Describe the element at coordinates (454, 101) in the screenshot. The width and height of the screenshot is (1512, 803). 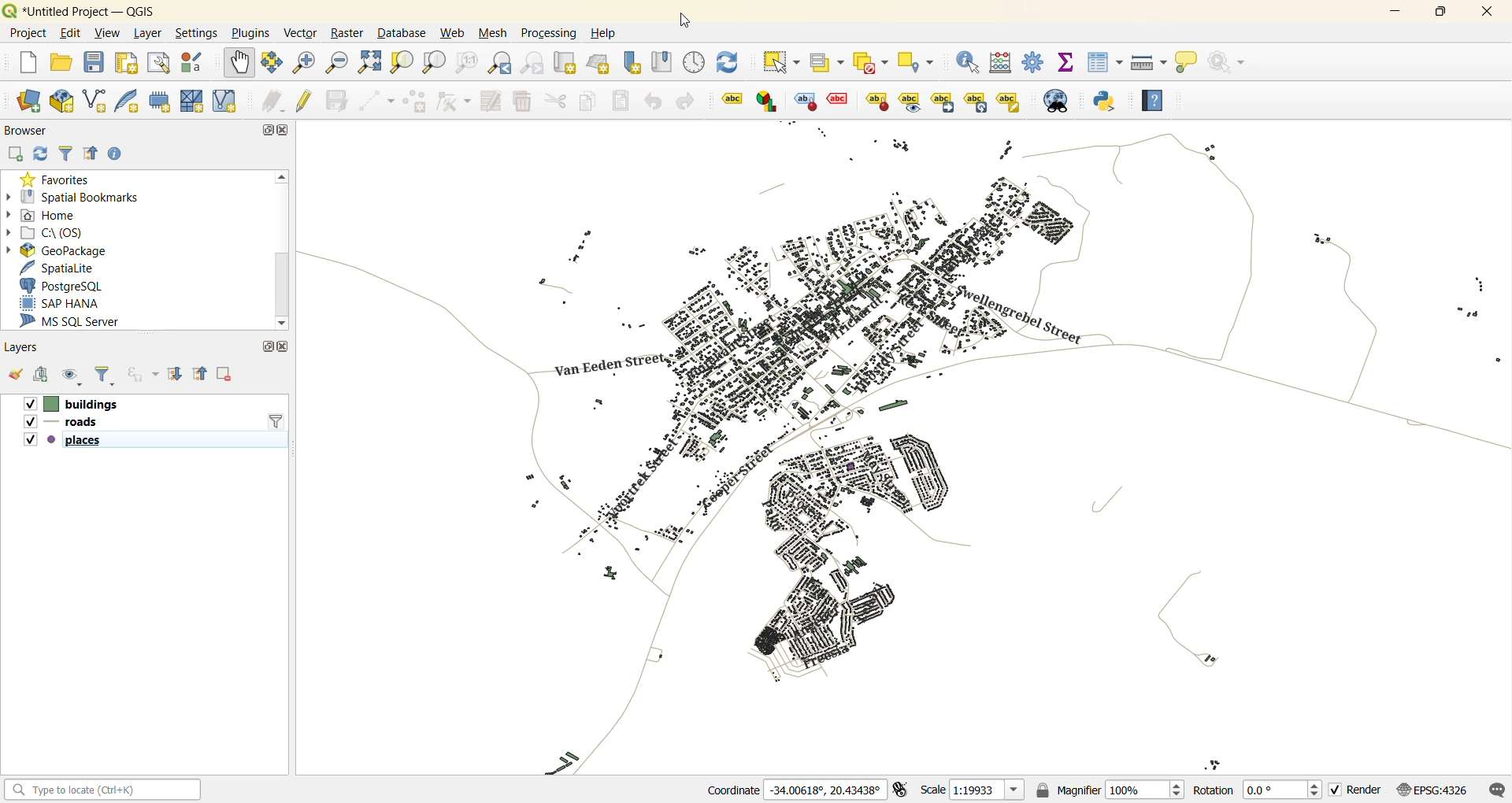
I see `vertex tools` at that location.